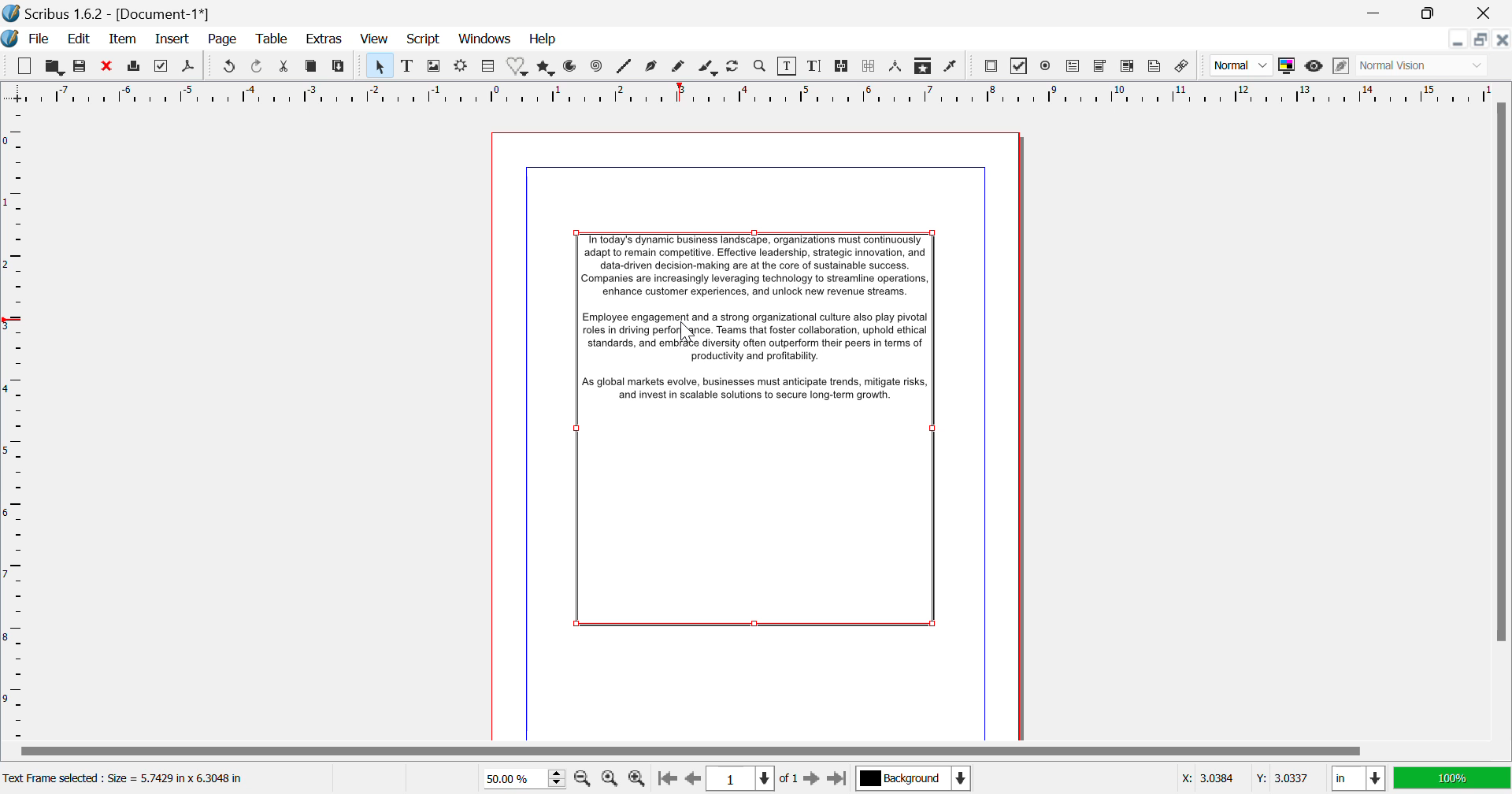 This screenshot has width=1512, height=794. I want to click on Text Annotation, so click(1154, 68).